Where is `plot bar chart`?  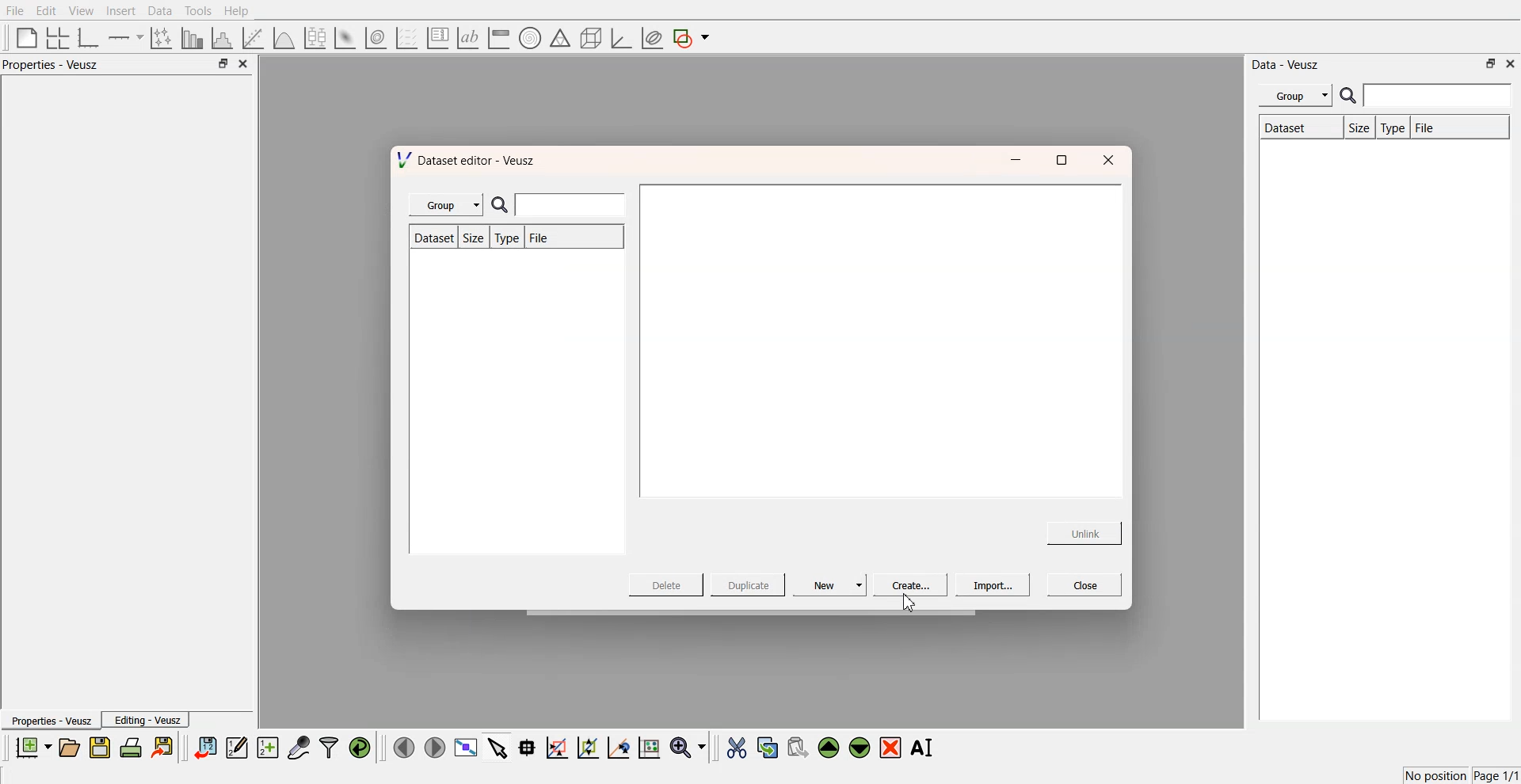 plot bar chart is located at coordinates (192, 39).